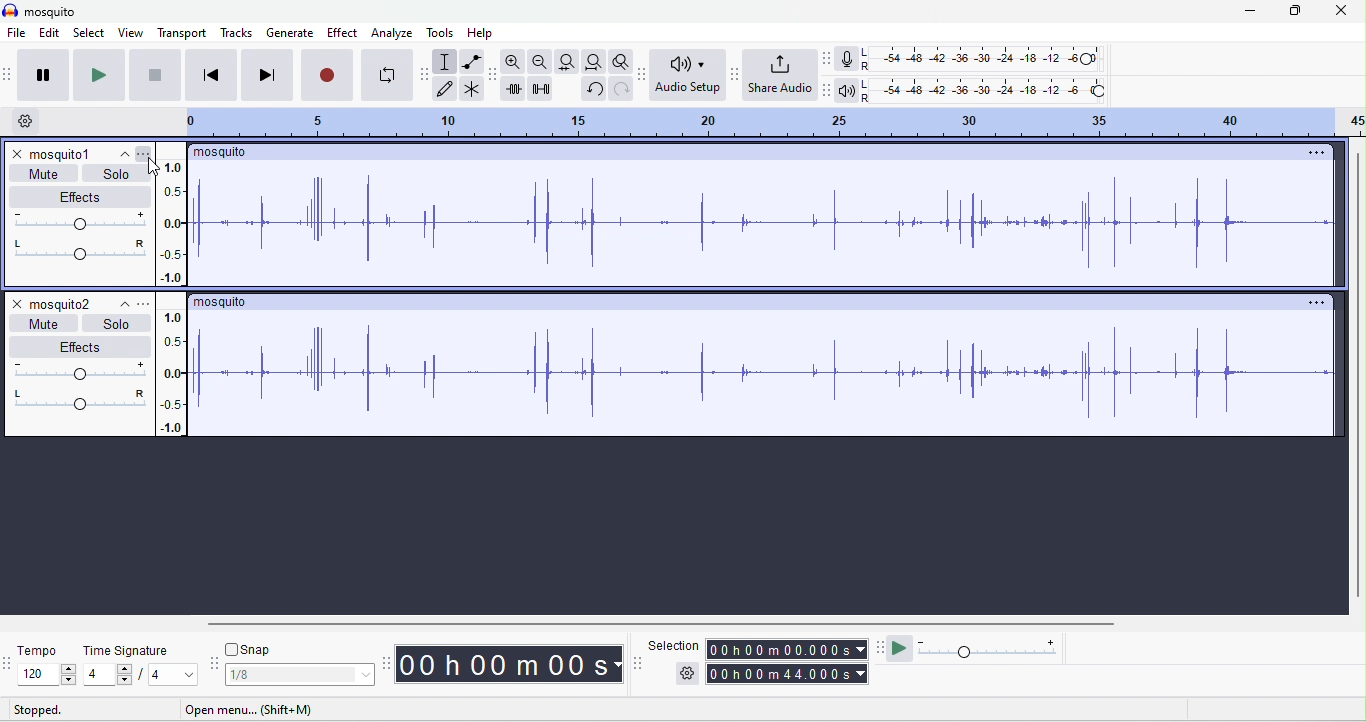 This screenshot has width=1366, height=722. I want to click on close, so click(18, 154).